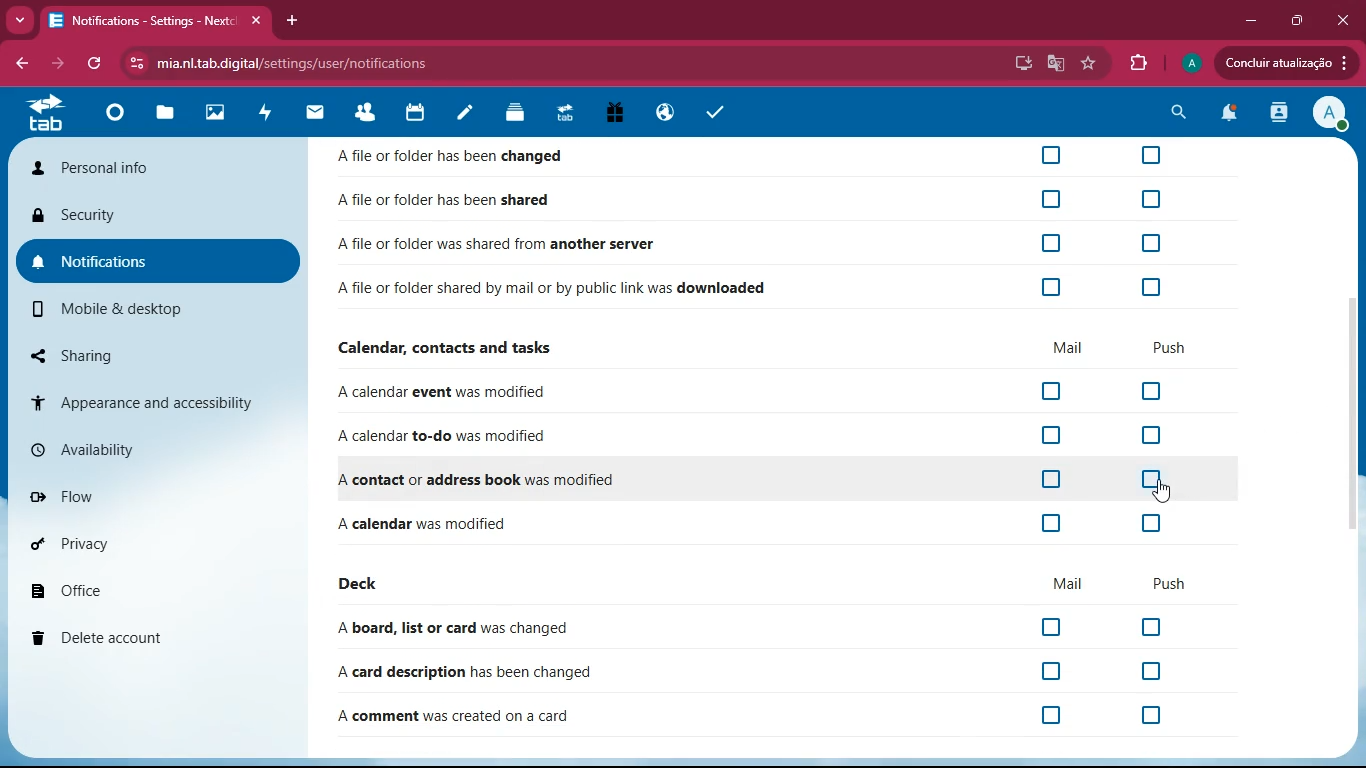  What do you see at coordinates (1053, 65) in the screenshot?
I see `google translate` at bounding box center [1053, 65].